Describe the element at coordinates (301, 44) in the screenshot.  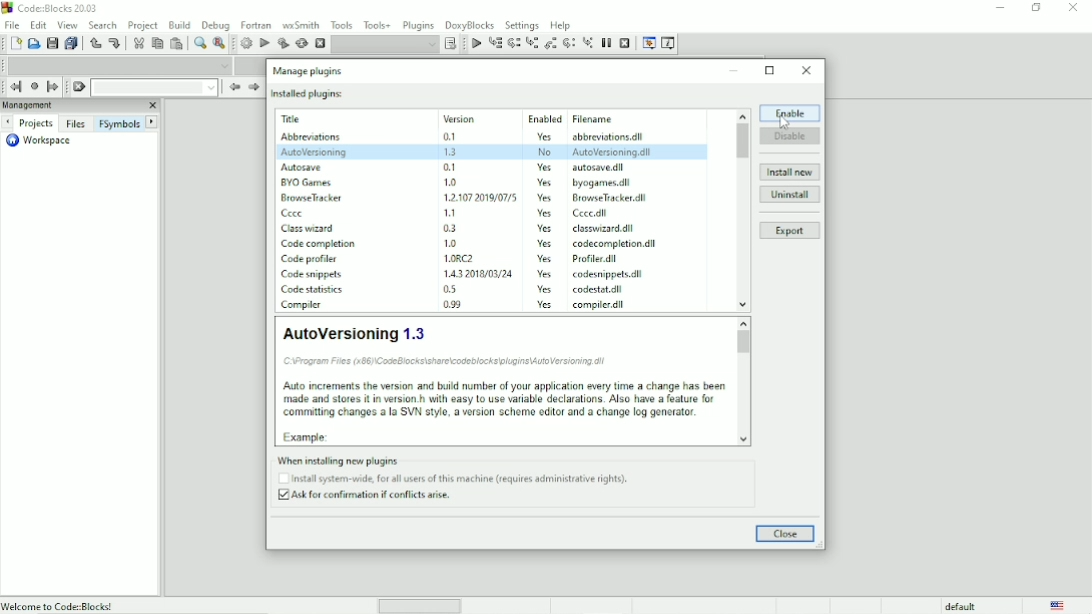
I see `Rebuild` at that location.